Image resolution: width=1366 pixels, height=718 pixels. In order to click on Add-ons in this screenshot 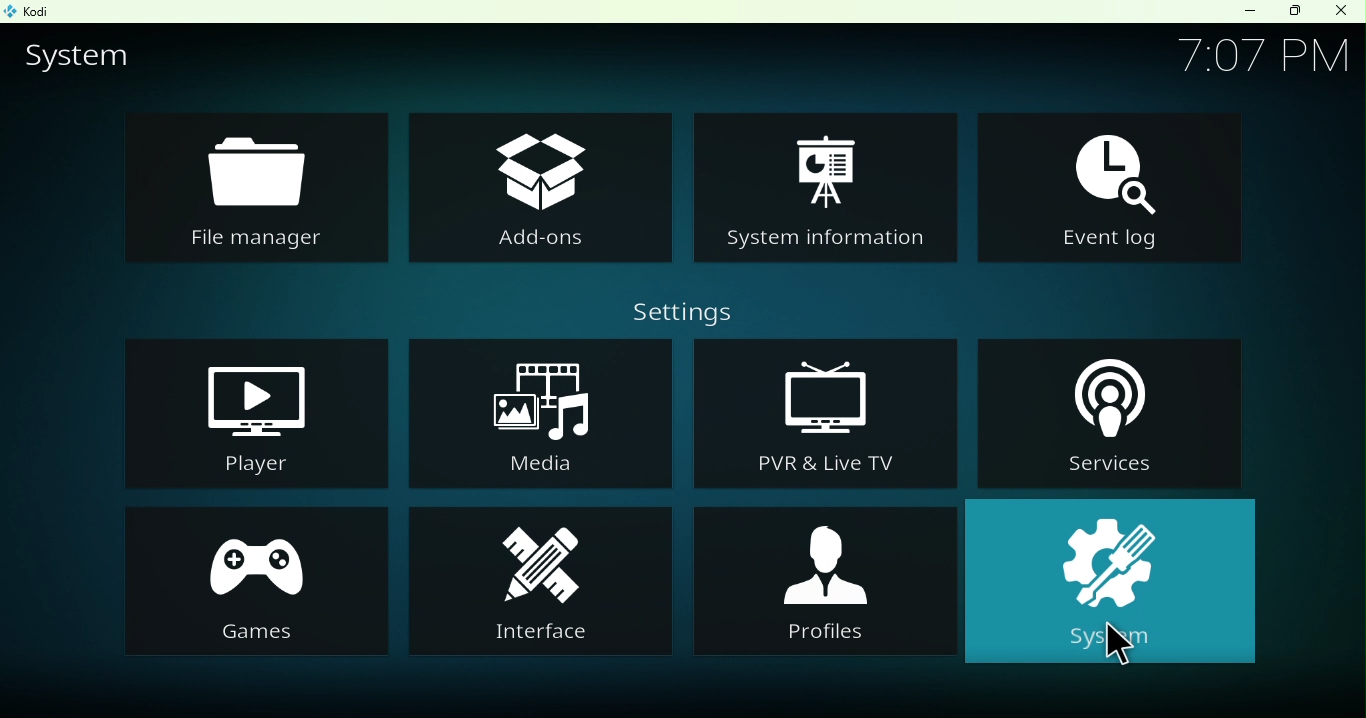, I will do `click(536, 183)`.